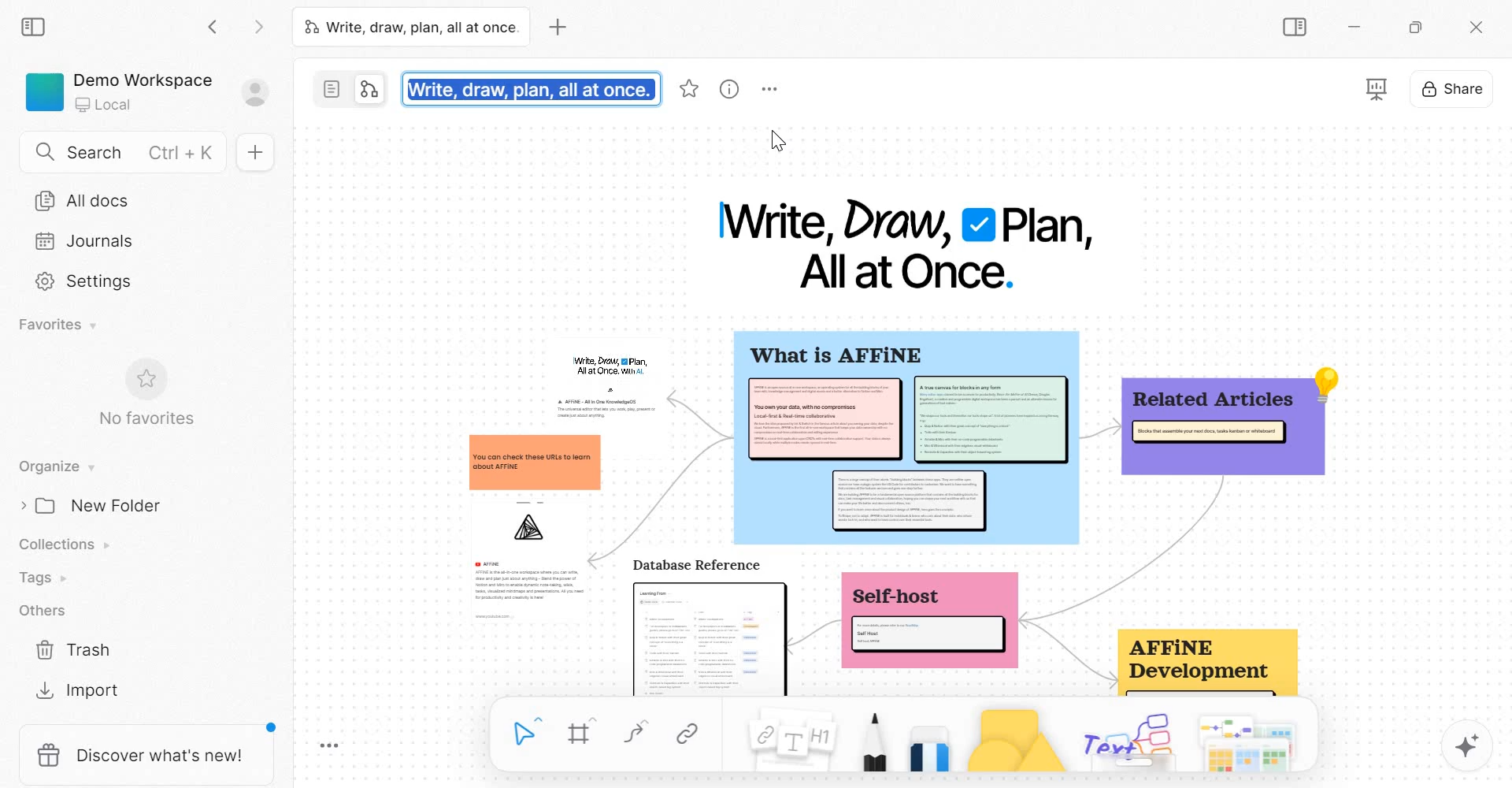  I want to click on Journals, so click(95, 243).